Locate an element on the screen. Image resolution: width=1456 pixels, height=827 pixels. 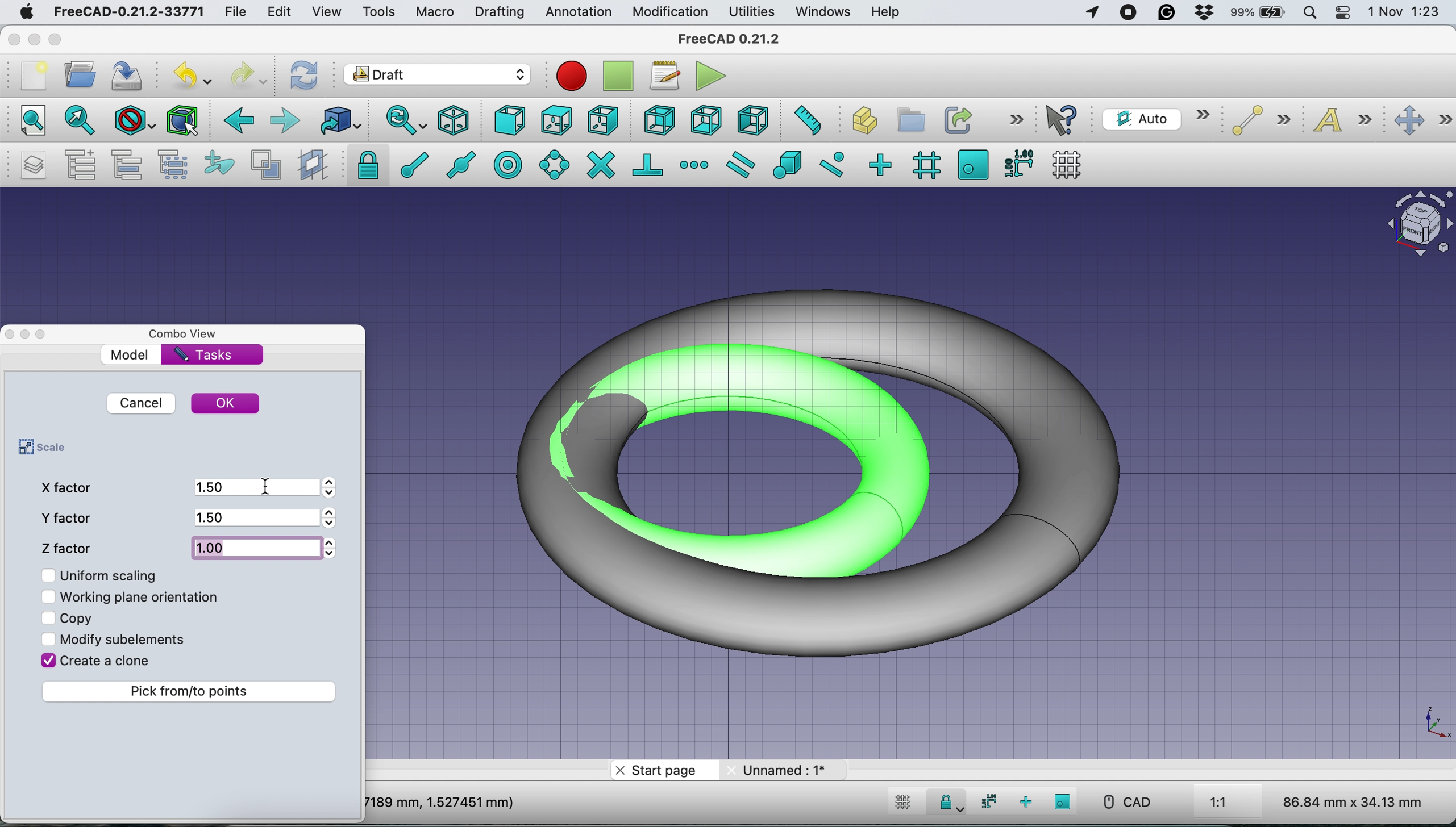
file is located at coordinates (240, 12).